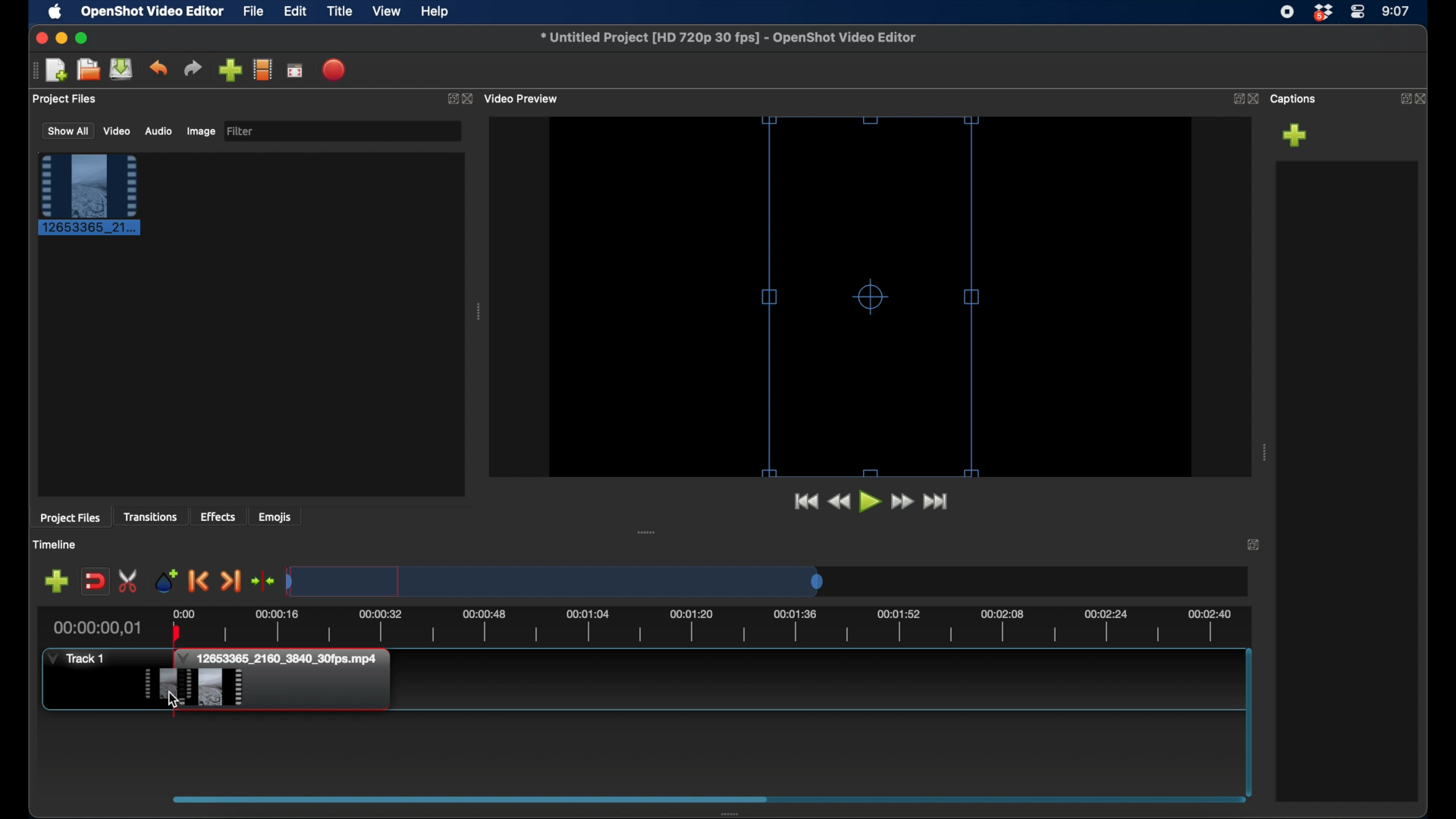  I want to click on add, so click(1295, 135).